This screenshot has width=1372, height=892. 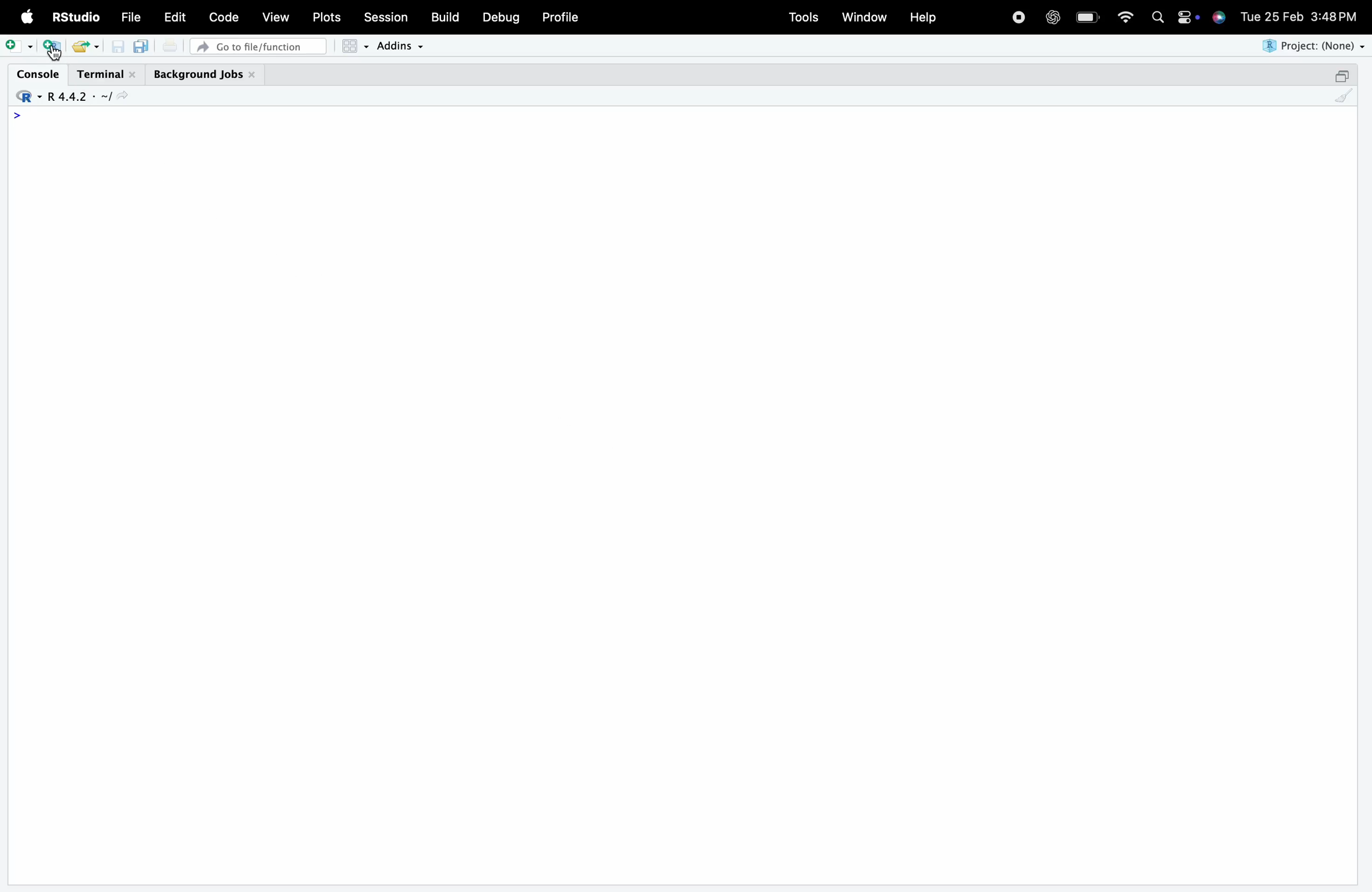 What do you see at coordinates (355, 46) in the screenshot?
I see `Workspace panes` at bounding box center [355, 46].